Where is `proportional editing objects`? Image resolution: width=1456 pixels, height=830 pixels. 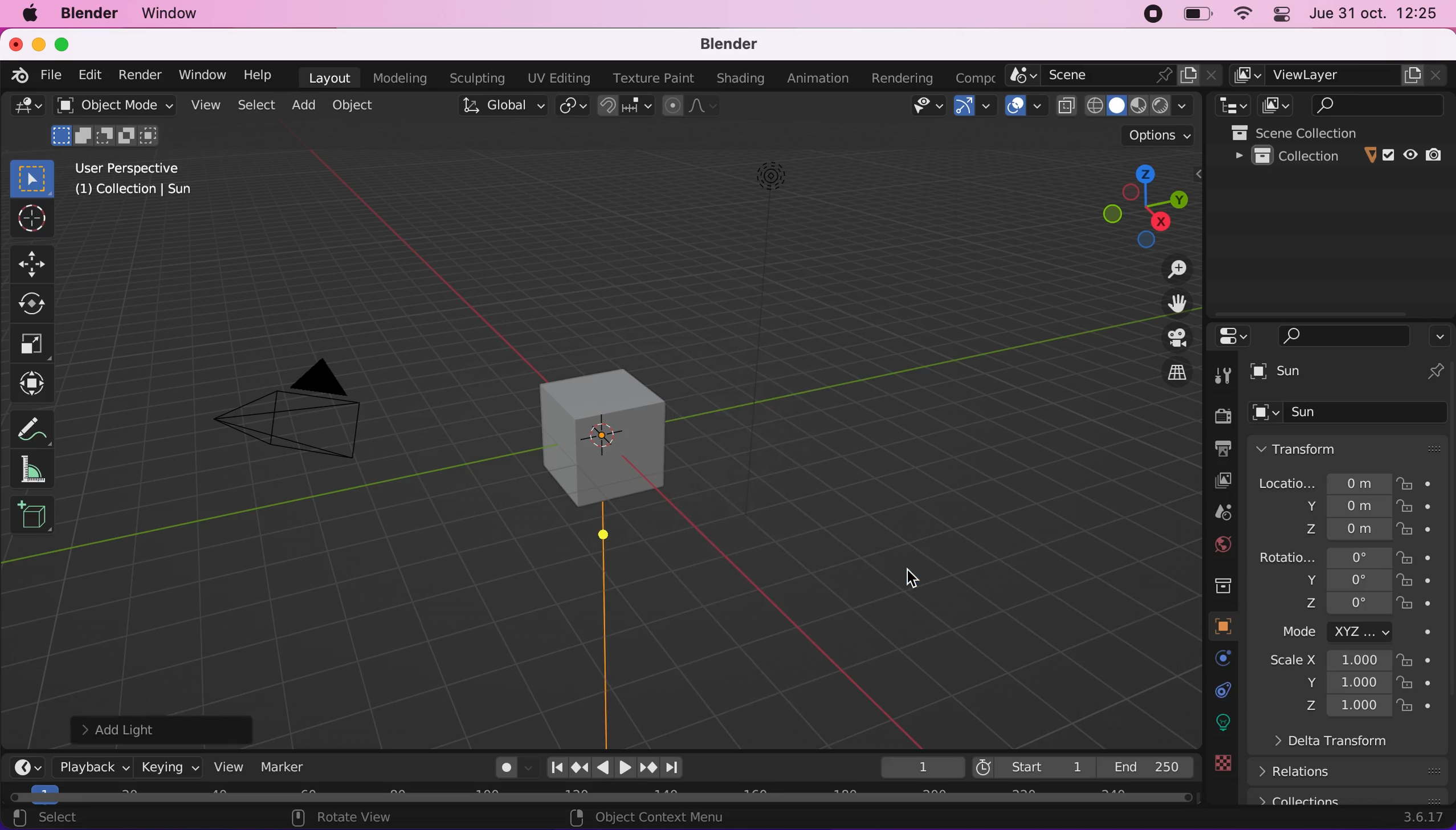 proportional editing objects is located at coordinates (690, 105).